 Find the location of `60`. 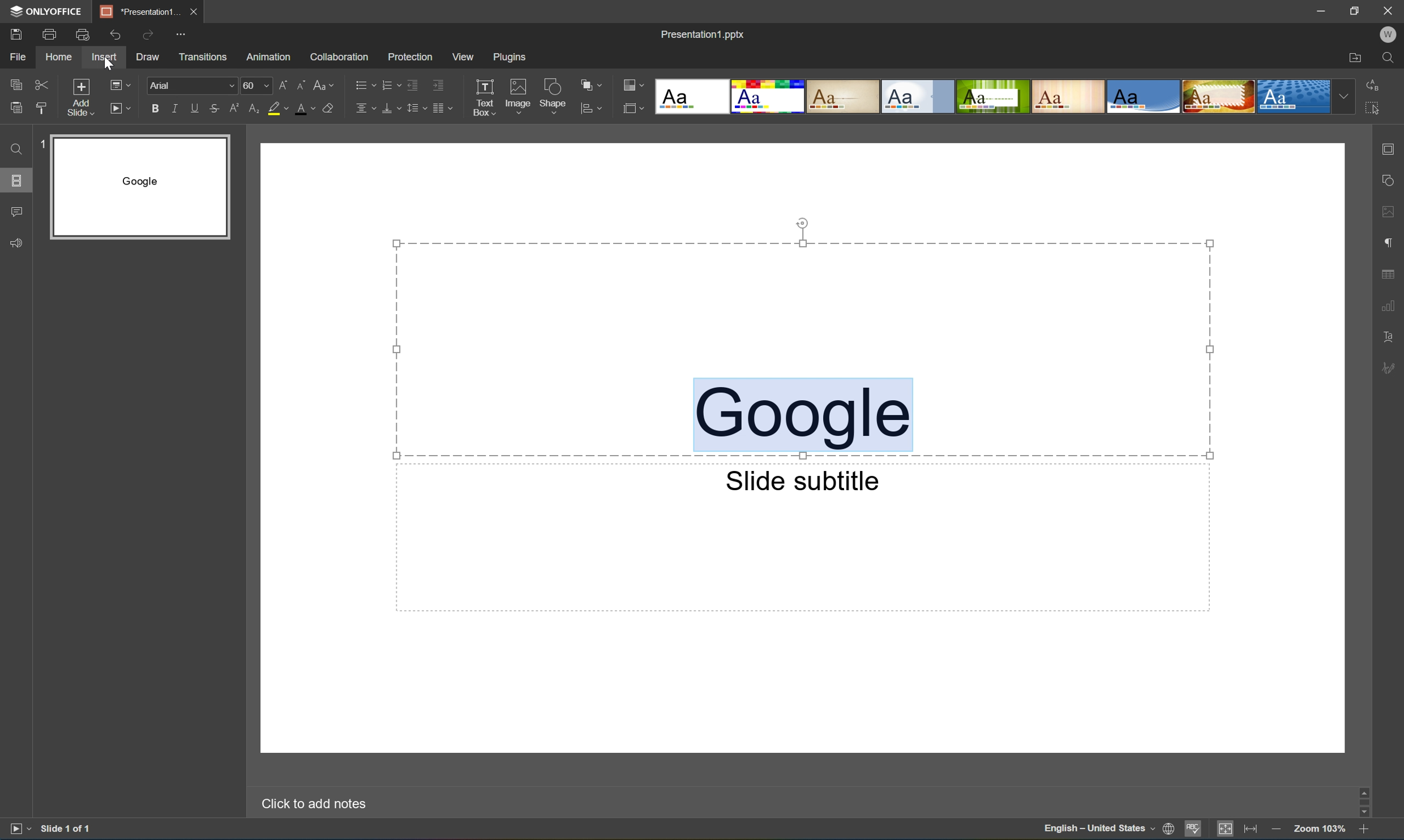

60 is located at coordinates (254, 85).